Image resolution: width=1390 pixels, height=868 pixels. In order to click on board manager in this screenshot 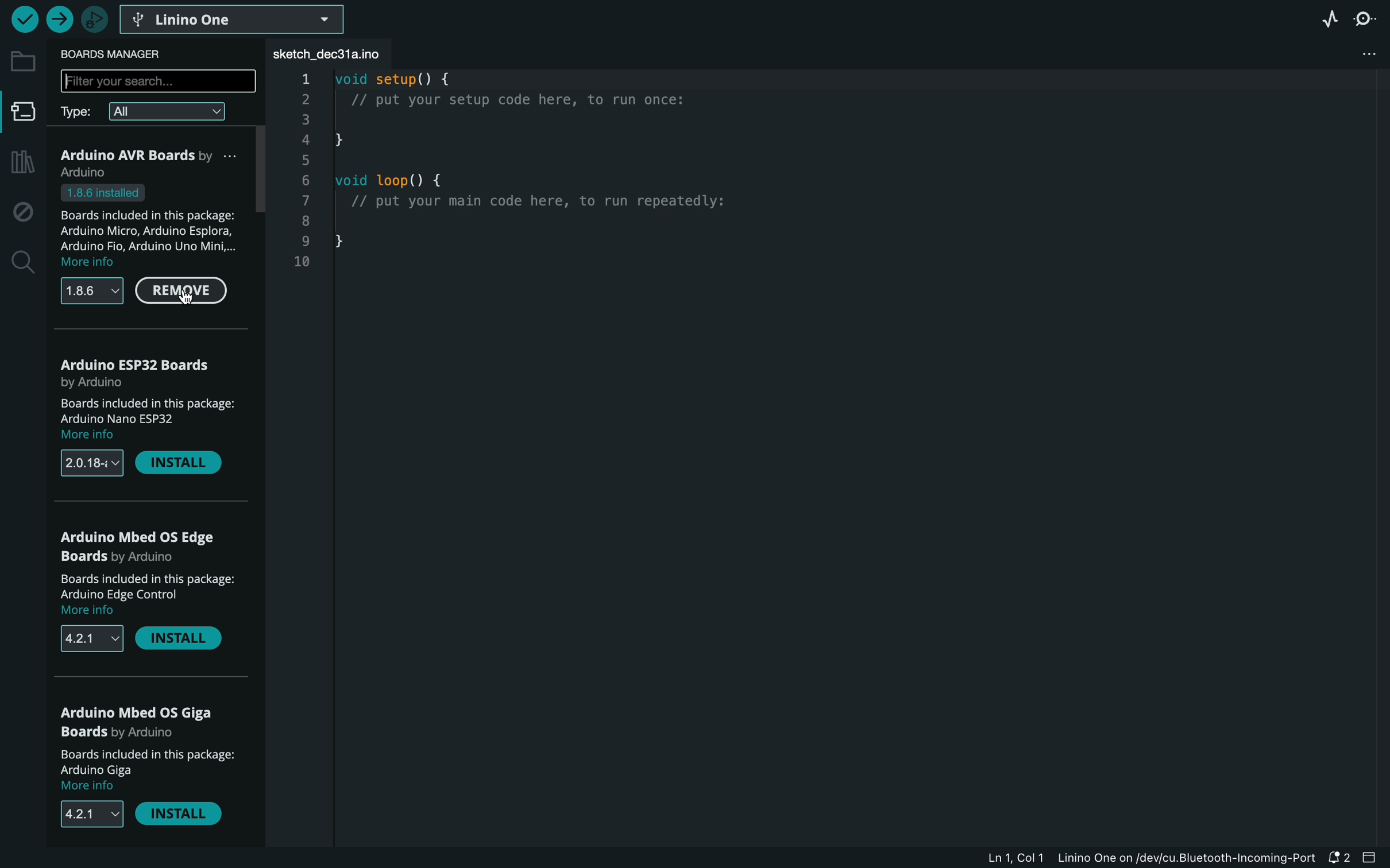, I will do `click(116, 53)`.